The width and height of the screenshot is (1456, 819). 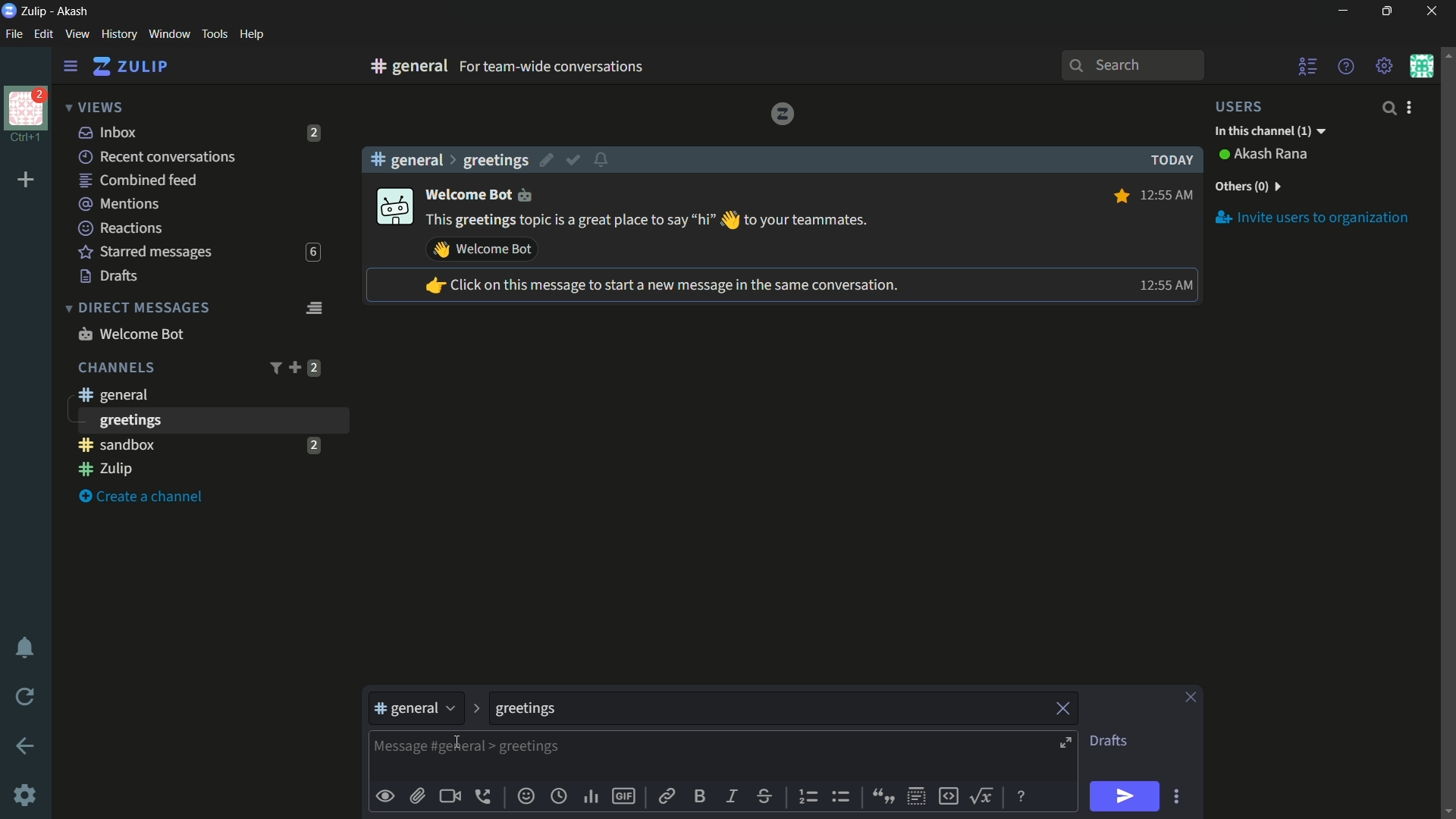 I want to click on create a channel, so click(x=145, y=497).